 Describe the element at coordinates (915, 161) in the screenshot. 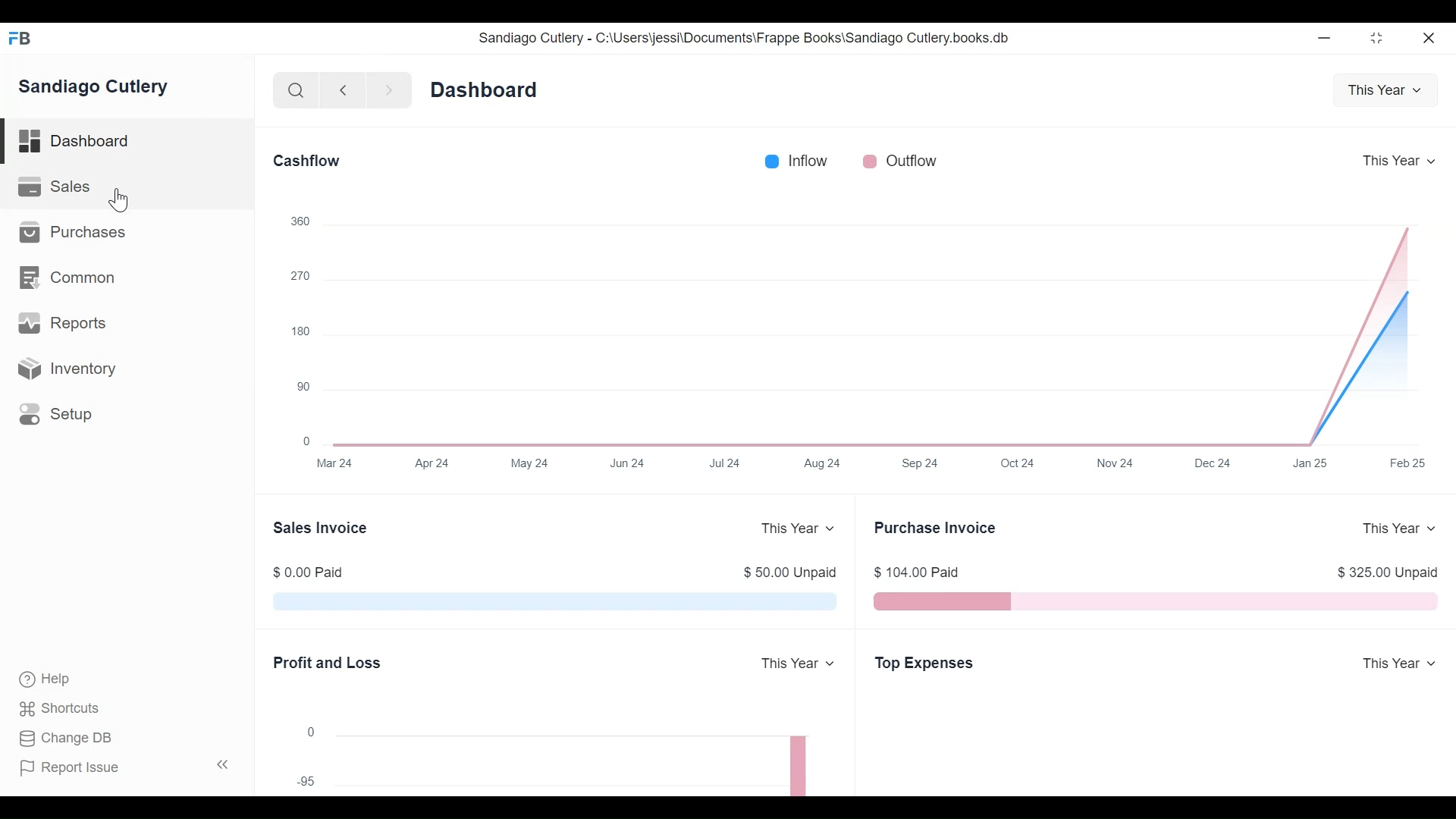

I see `Outflow` at that location.